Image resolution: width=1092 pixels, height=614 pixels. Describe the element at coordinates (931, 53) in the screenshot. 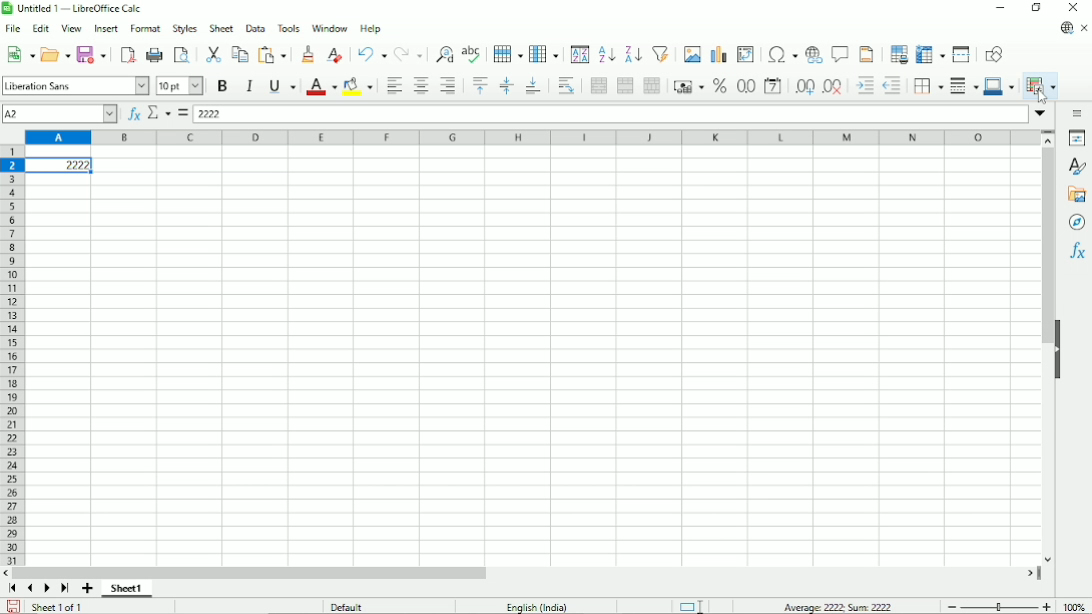

I see `Freeze row and column` at that location.